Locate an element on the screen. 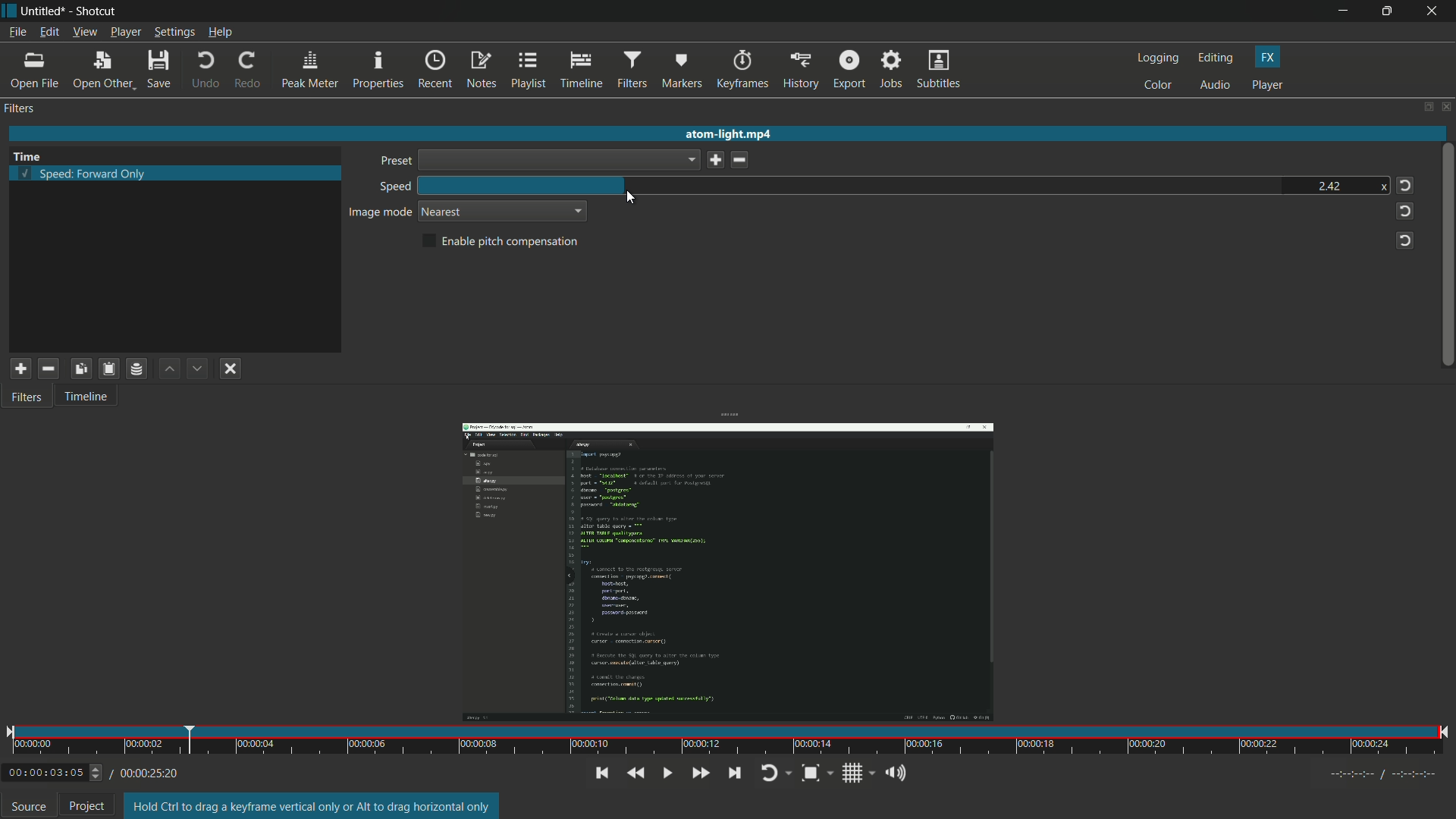 The height and width of the screenshot is (819, 1456). settings menu is located at coordinates (174, 33).